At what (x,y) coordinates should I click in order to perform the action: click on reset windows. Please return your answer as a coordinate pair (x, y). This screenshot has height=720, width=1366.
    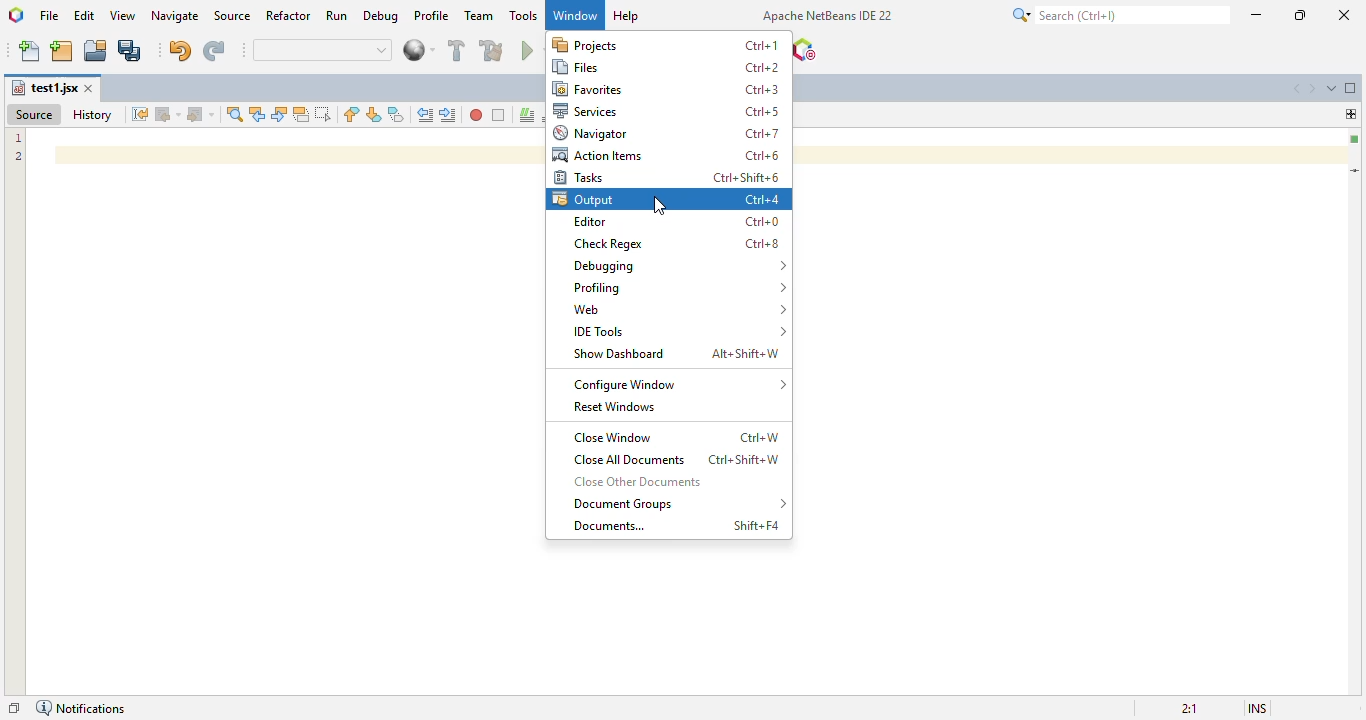
    Looking at the image, I should click on (614, 407).